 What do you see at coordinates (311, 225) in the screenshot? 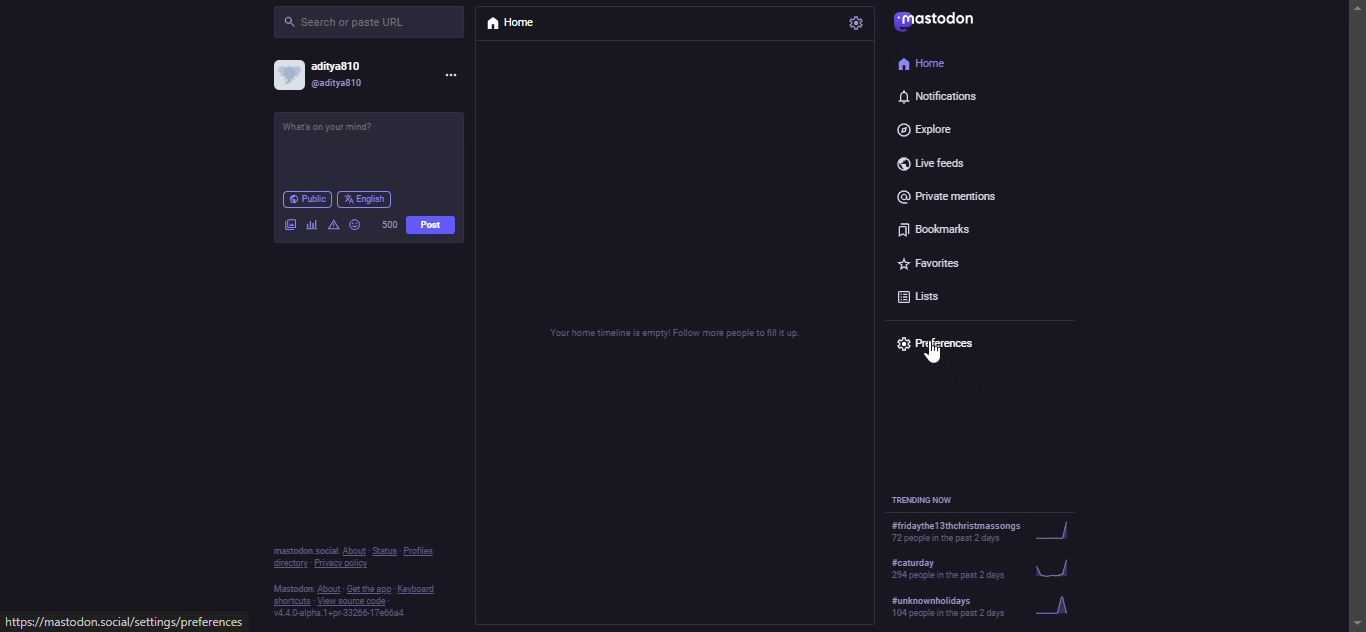
I see `polls` at bounding box center [311, 225].